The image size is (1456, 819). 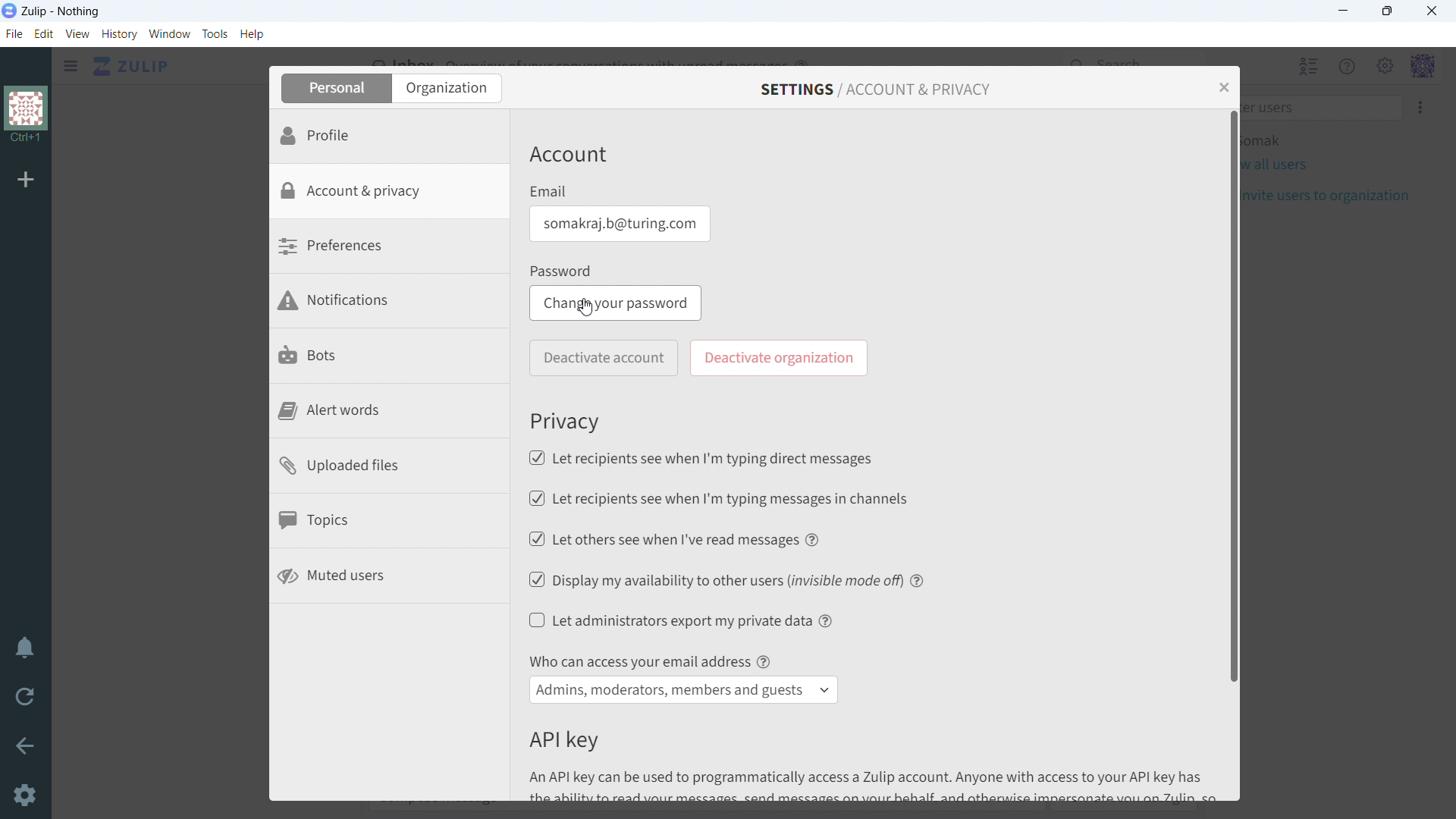 What do you see at coordinates (71, 66) in the screenshot?
I see `click to see sidebar menu` at bounding box center [71, 66].